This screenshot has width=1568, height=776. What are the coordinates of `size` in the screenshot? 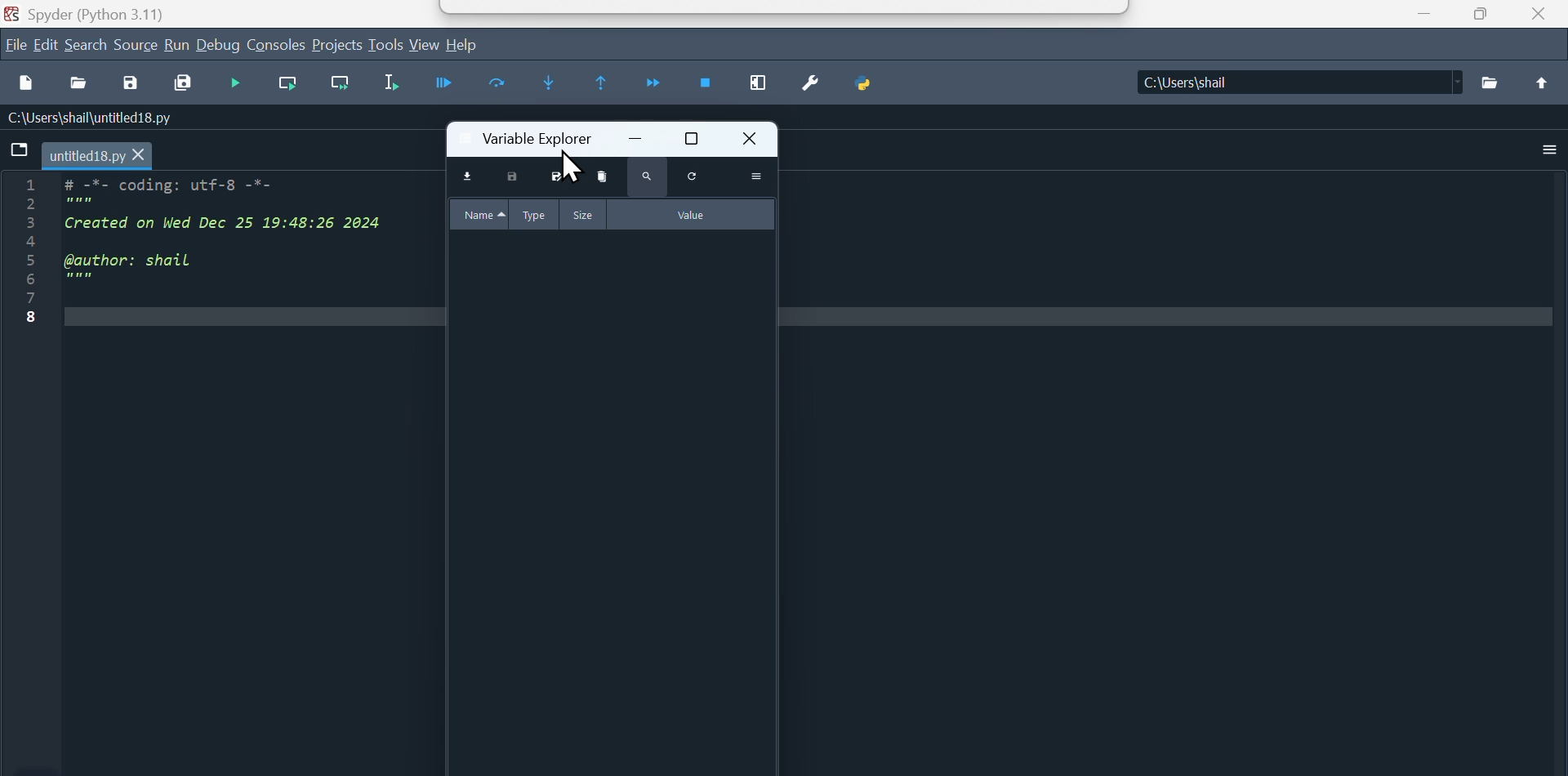 It's located at (587, 216).